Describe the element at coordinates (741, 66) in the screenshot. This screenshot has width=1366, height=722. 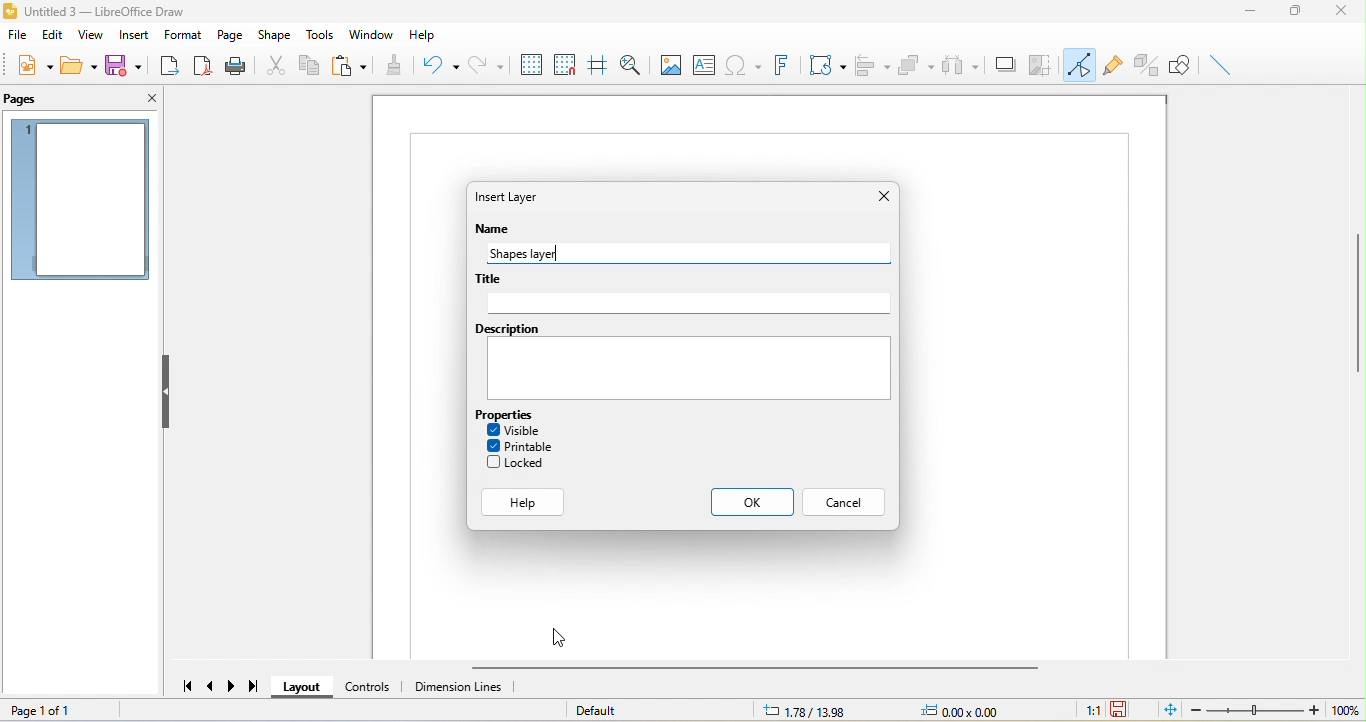
I see `special character` at that location.